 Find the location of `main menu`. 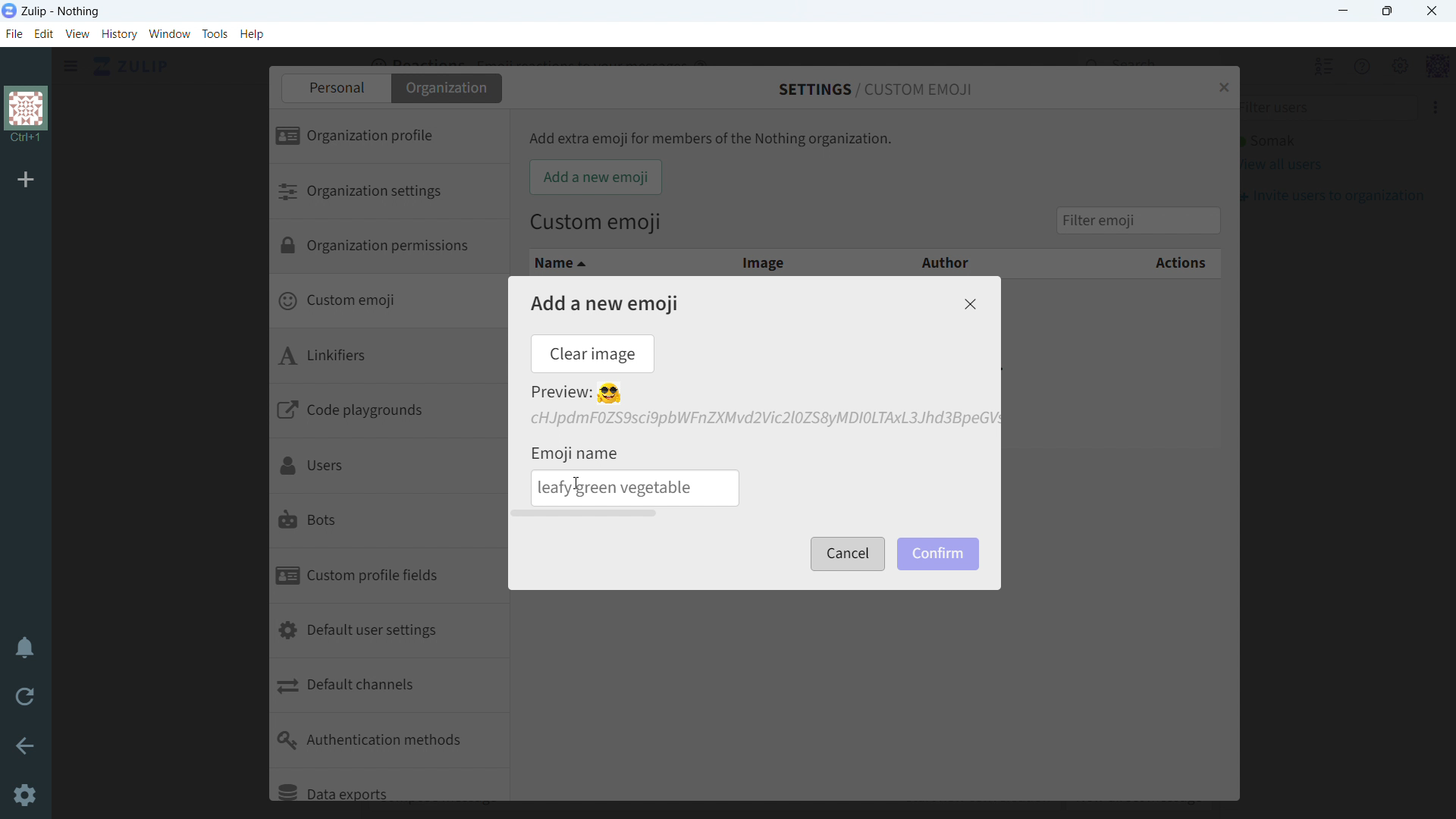

main menu is located at coordinates (1383, 65).